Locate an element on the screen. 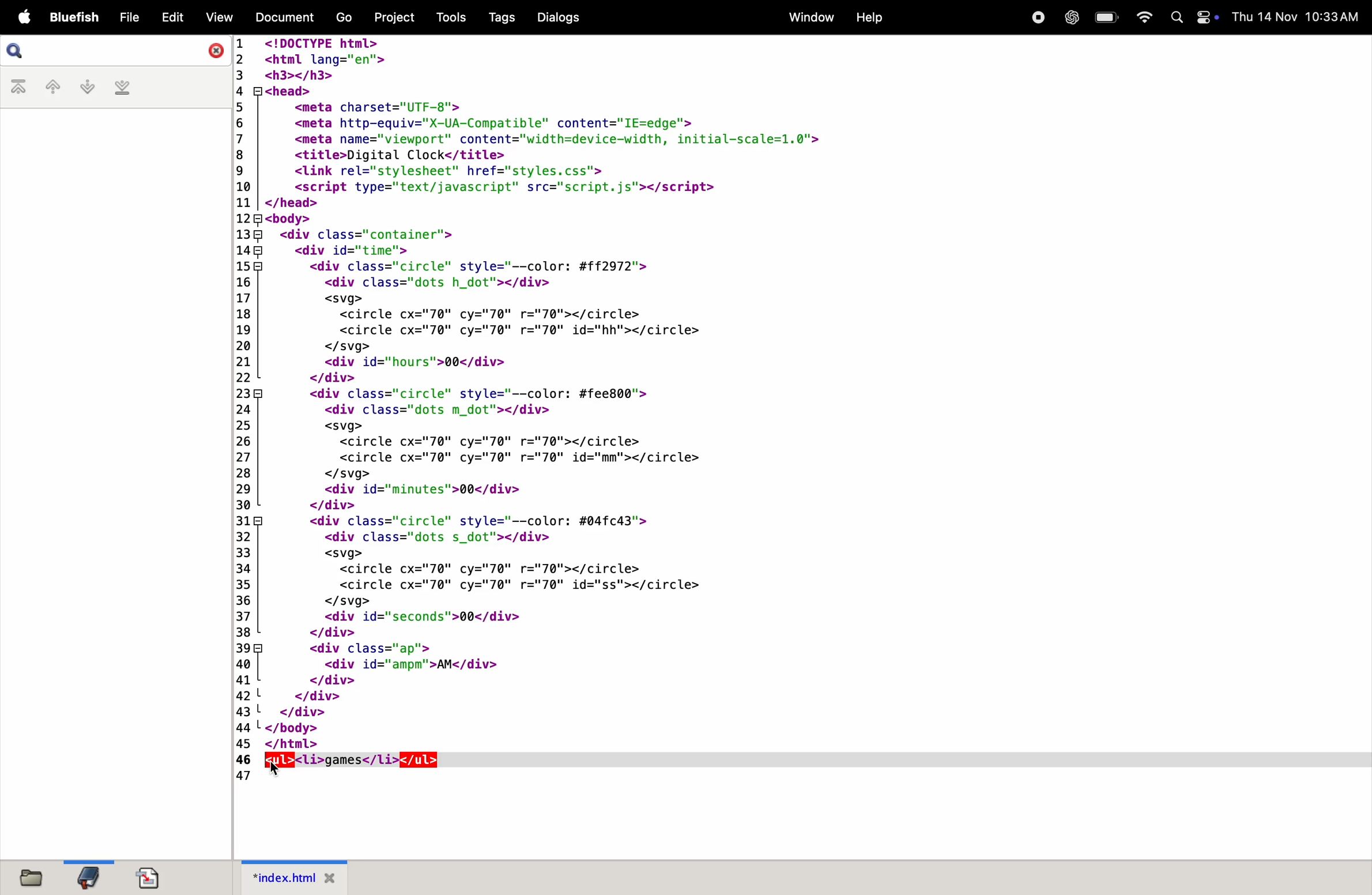 Image resolution: width=1372 pixels, height=895 pixels. go is located at coordinates (344, 16).